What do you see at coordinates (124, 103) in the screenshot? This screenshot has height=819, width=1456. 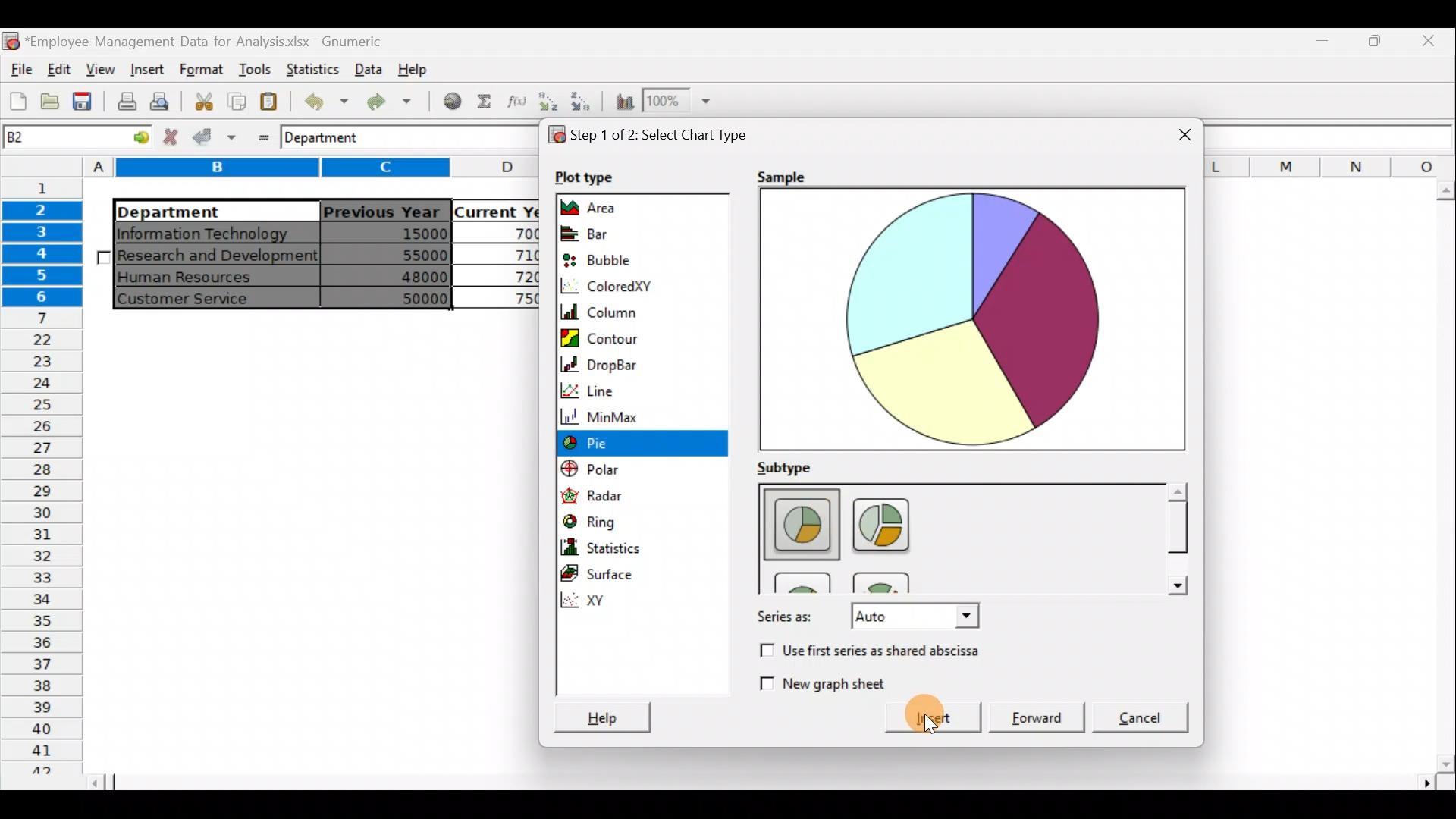 I see `Print current file` at bounding box center [124, 103].